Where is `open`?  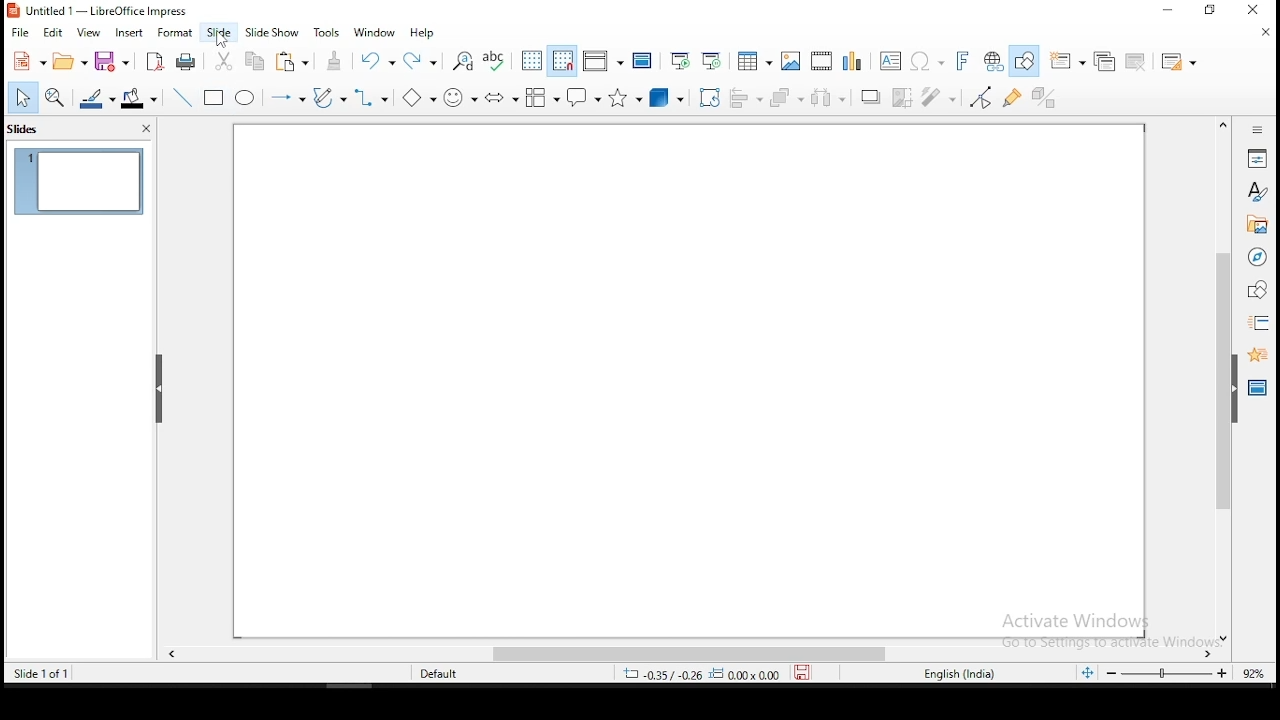
open is located at coordinates (70, 59).